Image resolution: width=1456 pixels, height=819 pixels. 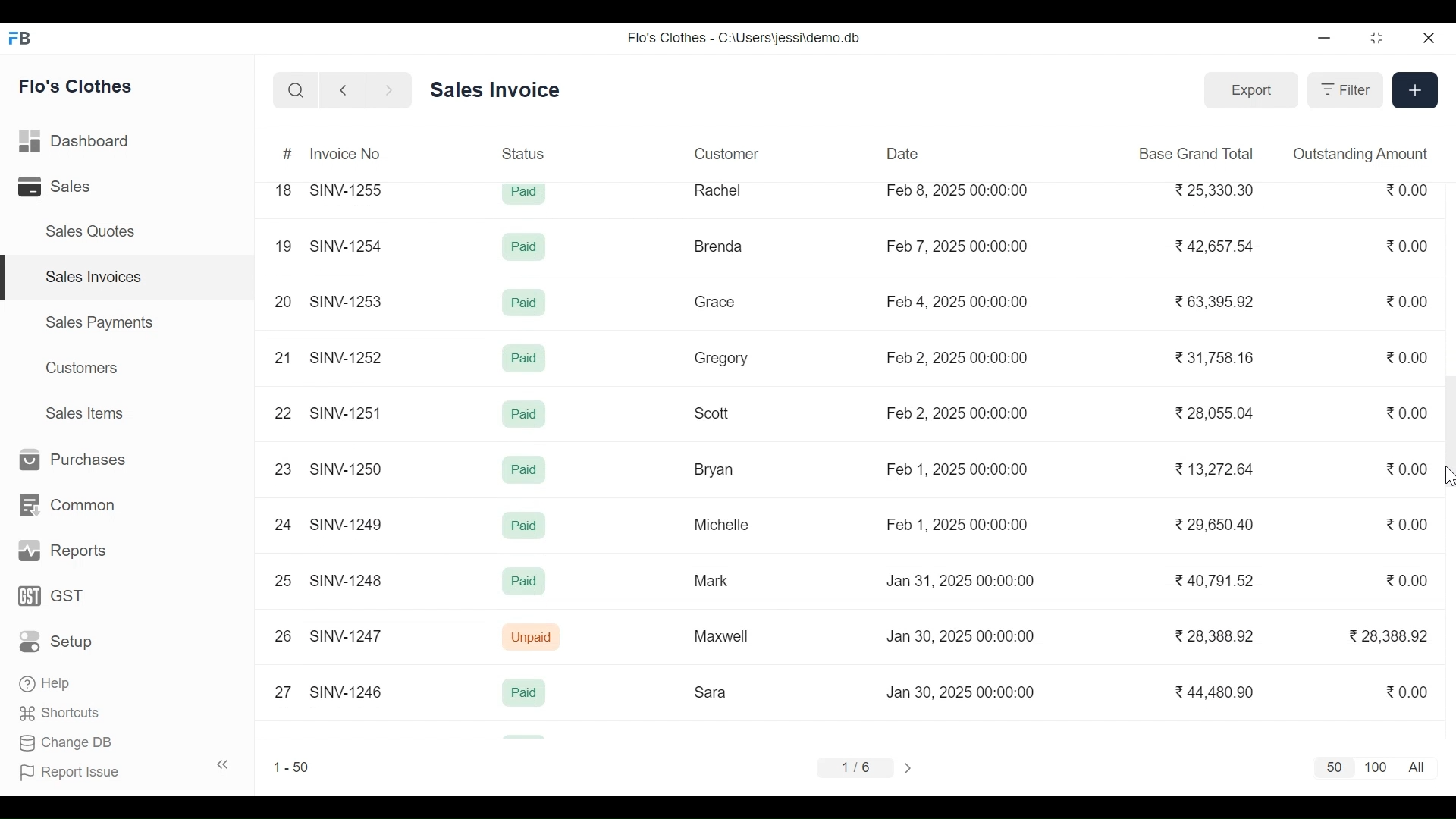 I want to click on SINV-1255, so click(x=350, y=188).